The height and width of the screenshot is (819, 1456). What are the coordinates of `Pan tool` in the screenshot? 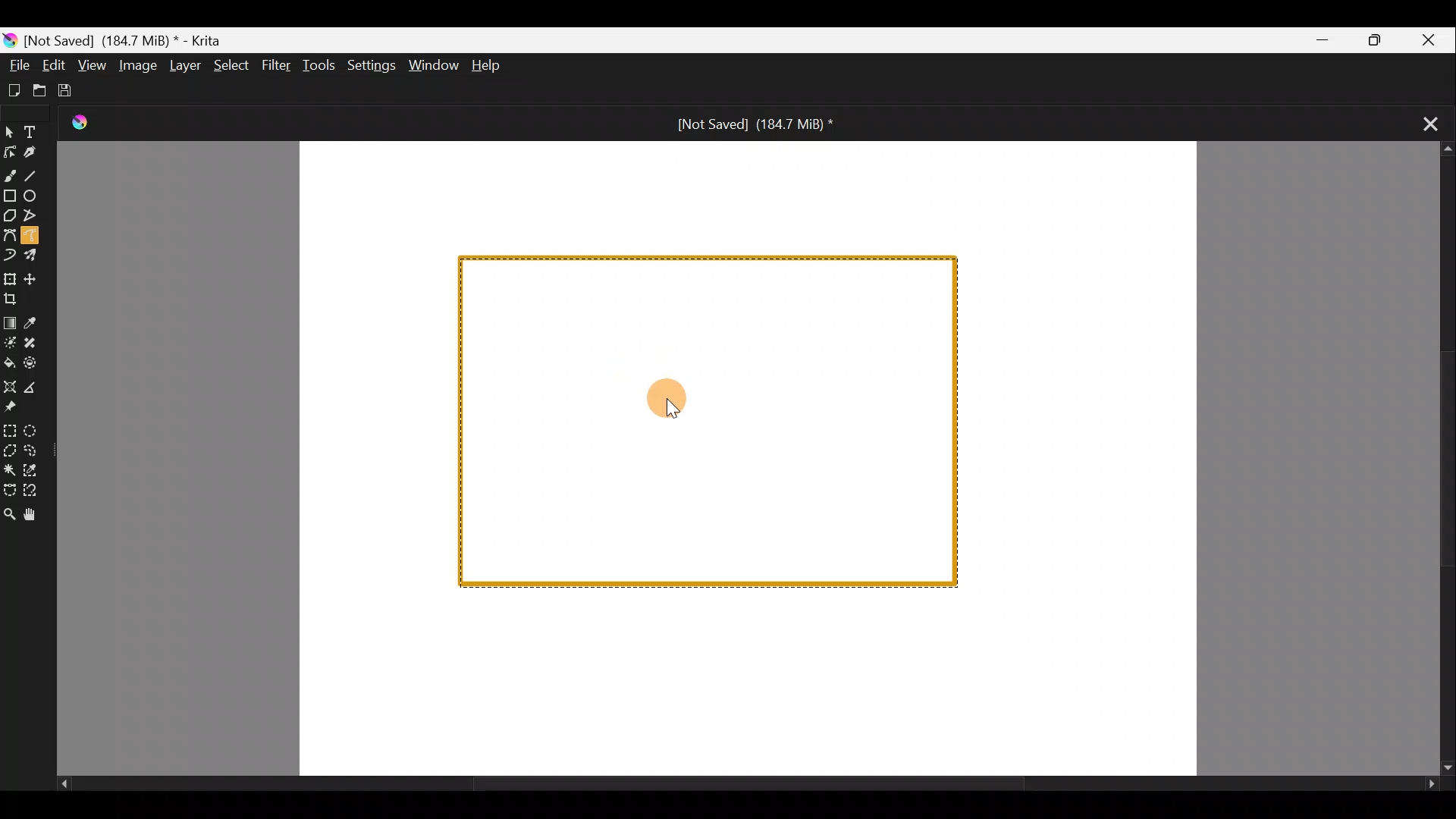 It's located at (39, 516).